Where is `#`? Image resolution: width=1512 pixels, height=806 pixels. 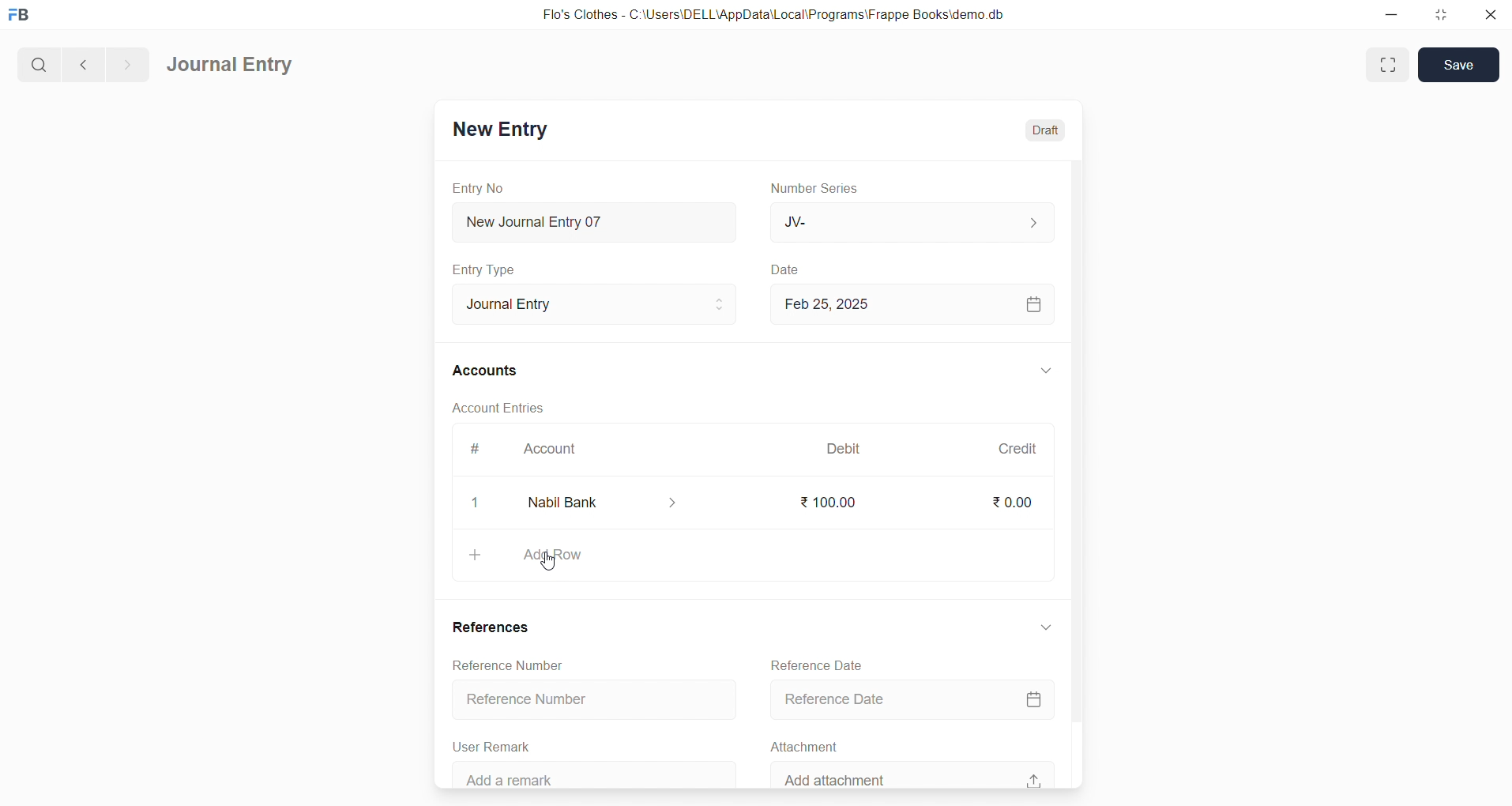
# is located at coordinates (473, 449).